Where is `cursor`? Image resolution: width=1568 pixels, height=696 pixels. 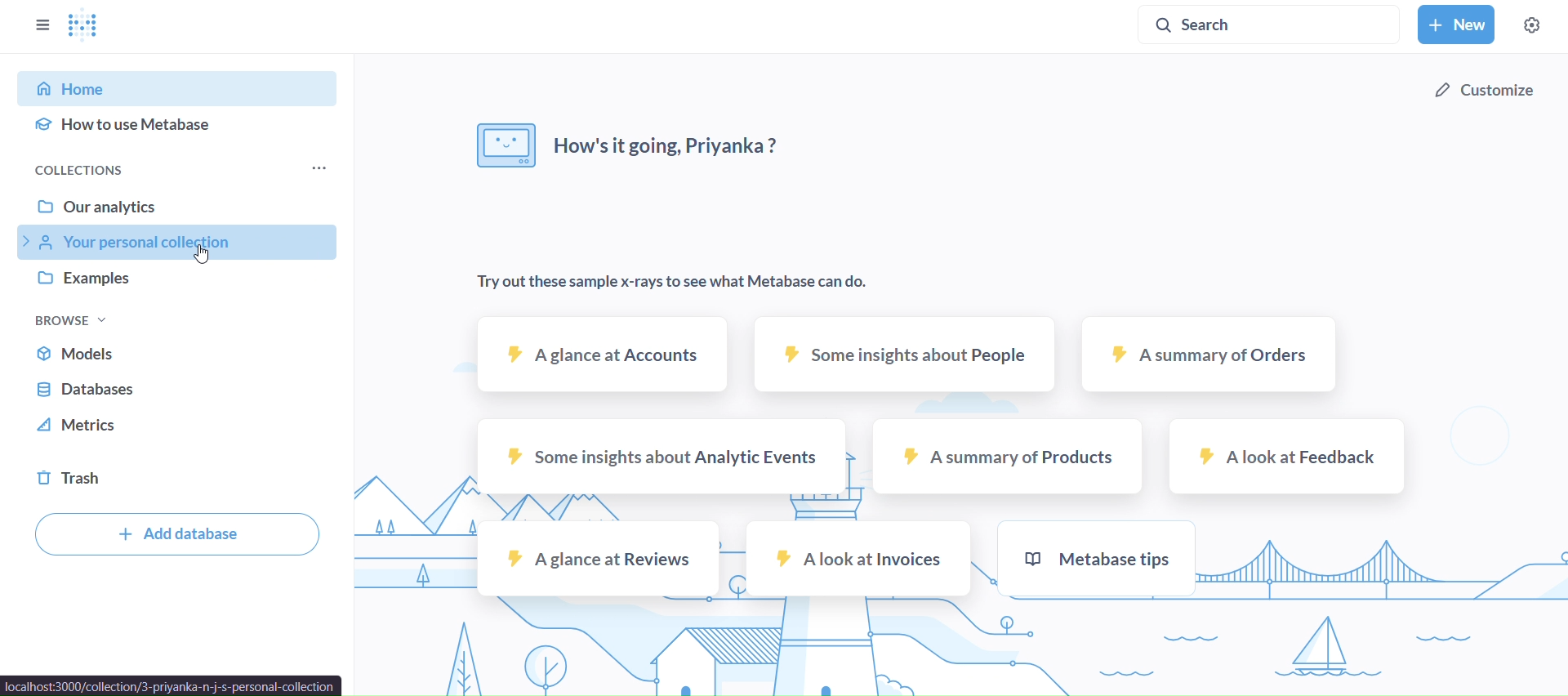
cursor is located at coordinates (201, 255).